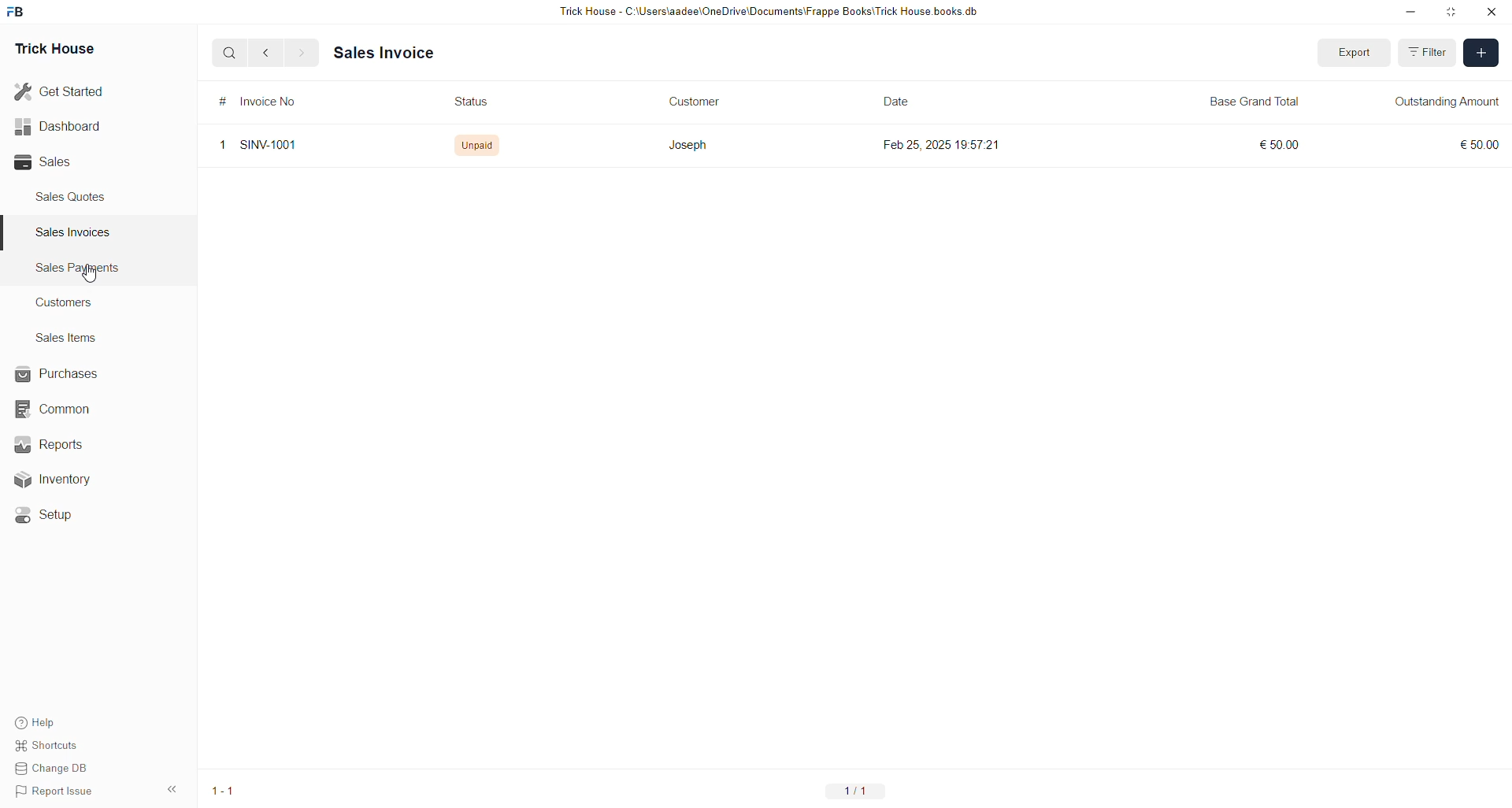 This screenshot has width=1512, height=808. I want to click on Outstanding Amount, so click(1446, 102).